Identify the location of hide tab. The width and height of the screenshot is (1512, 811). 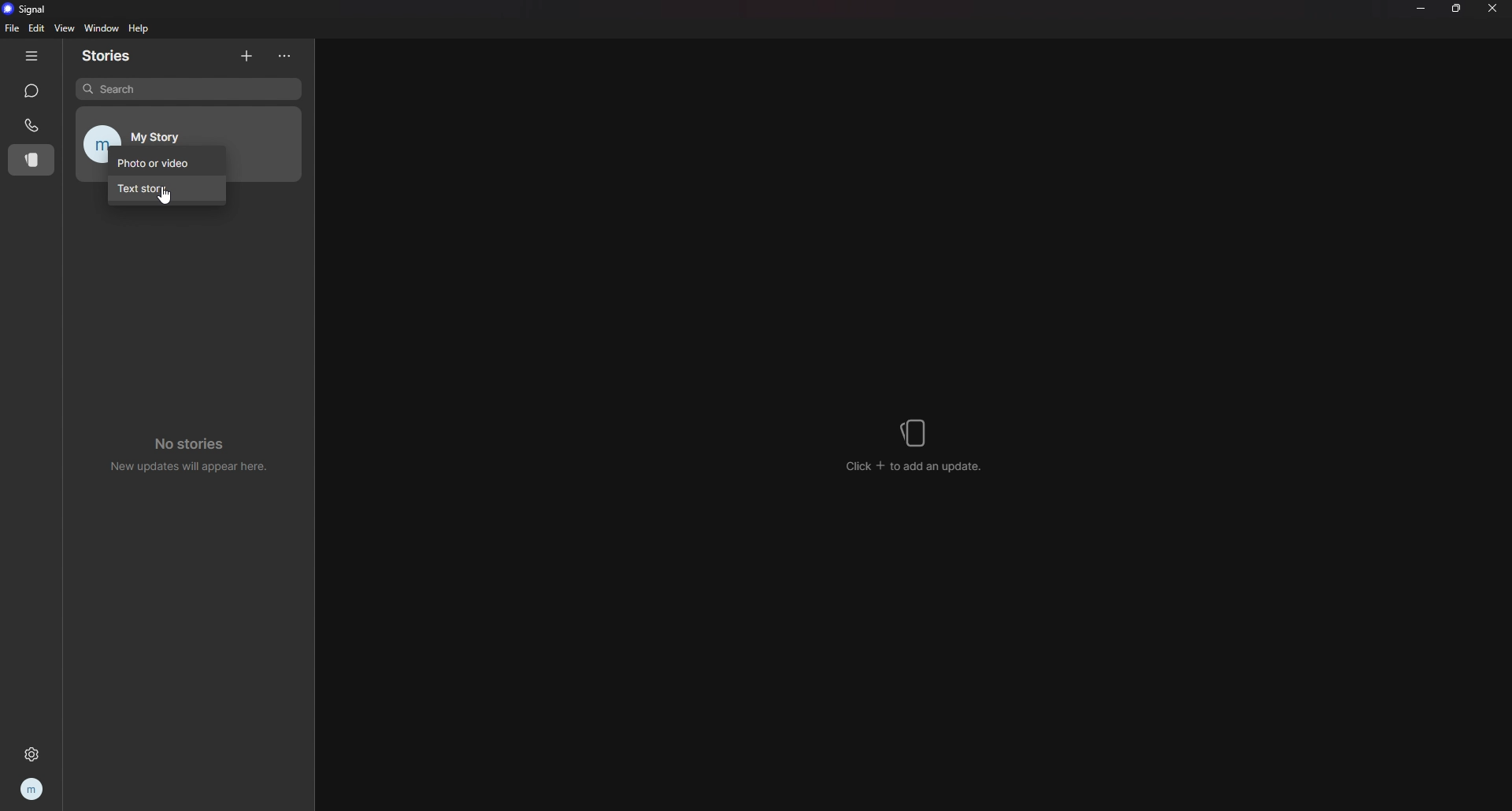
(31, 56).